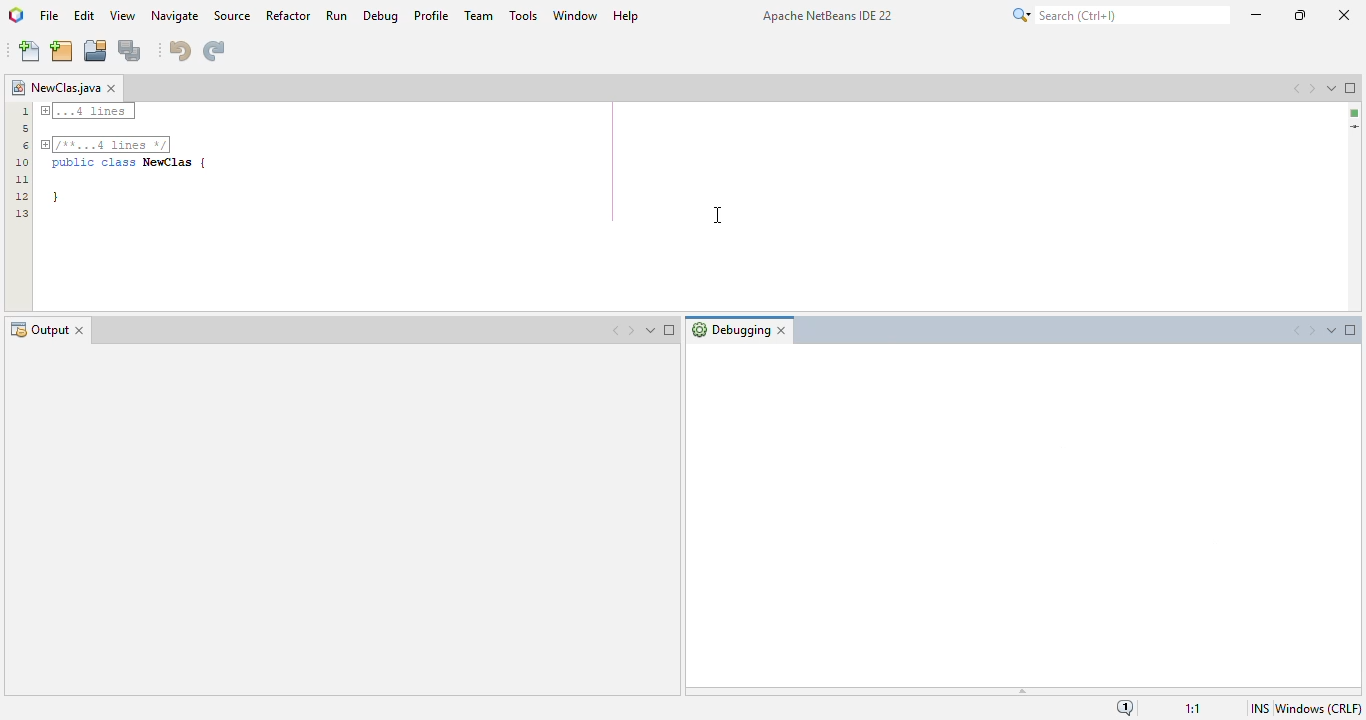  Describe the element at coordinates (1351, 118) in the screenshot. I see `Scrollbar` at that location.